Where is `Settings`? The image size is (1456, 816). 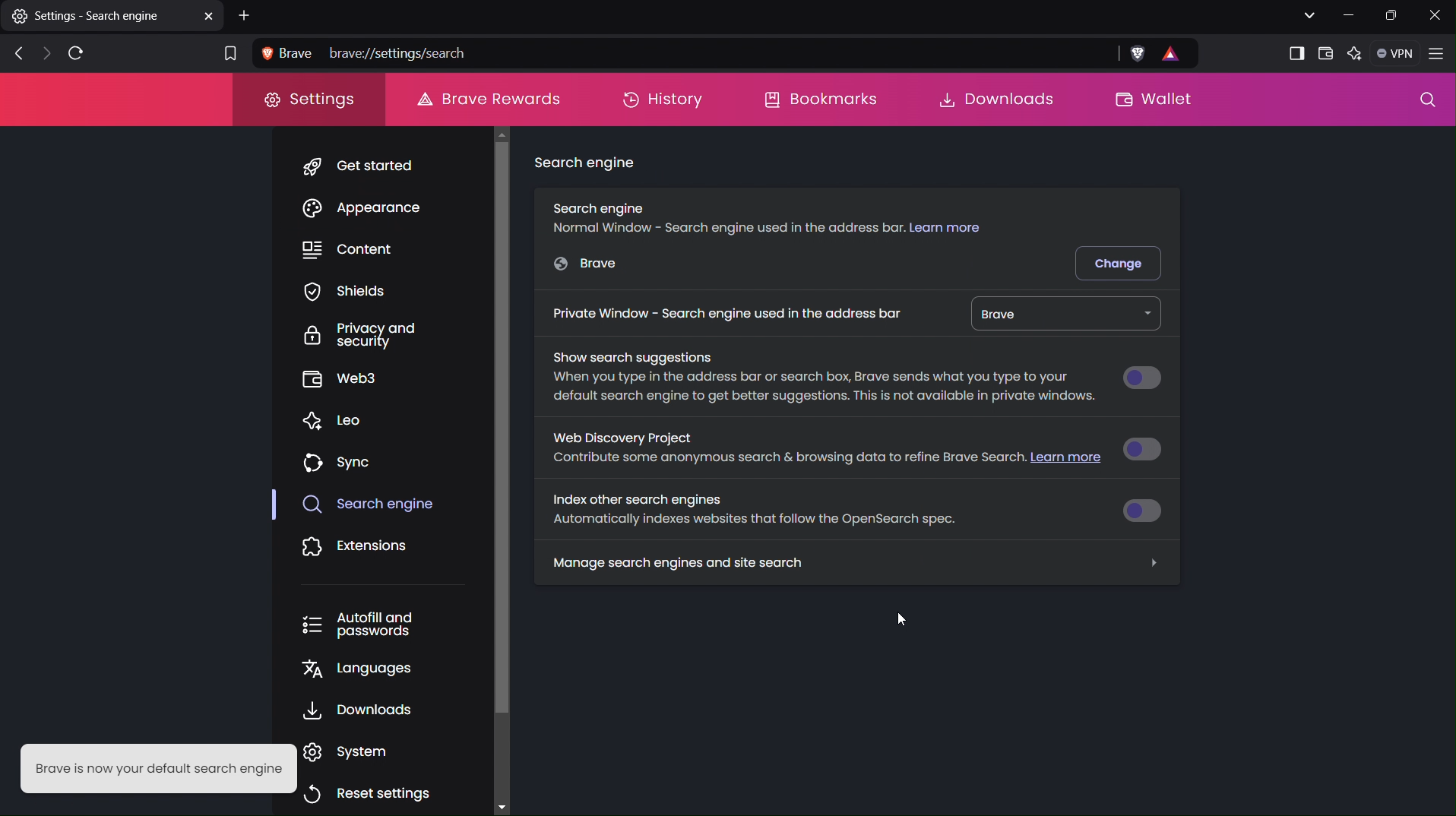 Settings is located at coordinates (308, 100).